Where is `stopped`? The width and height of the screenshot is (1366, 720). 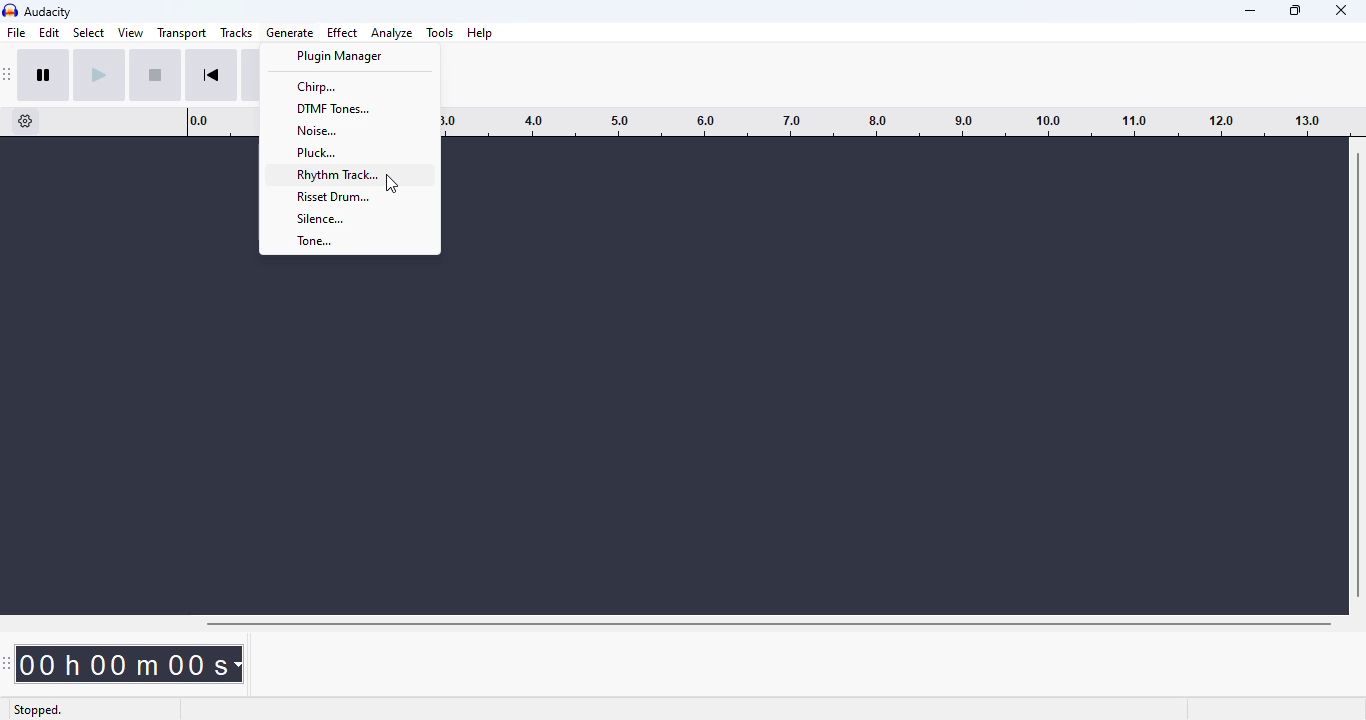
stopped is located at coordinates (38, 710).